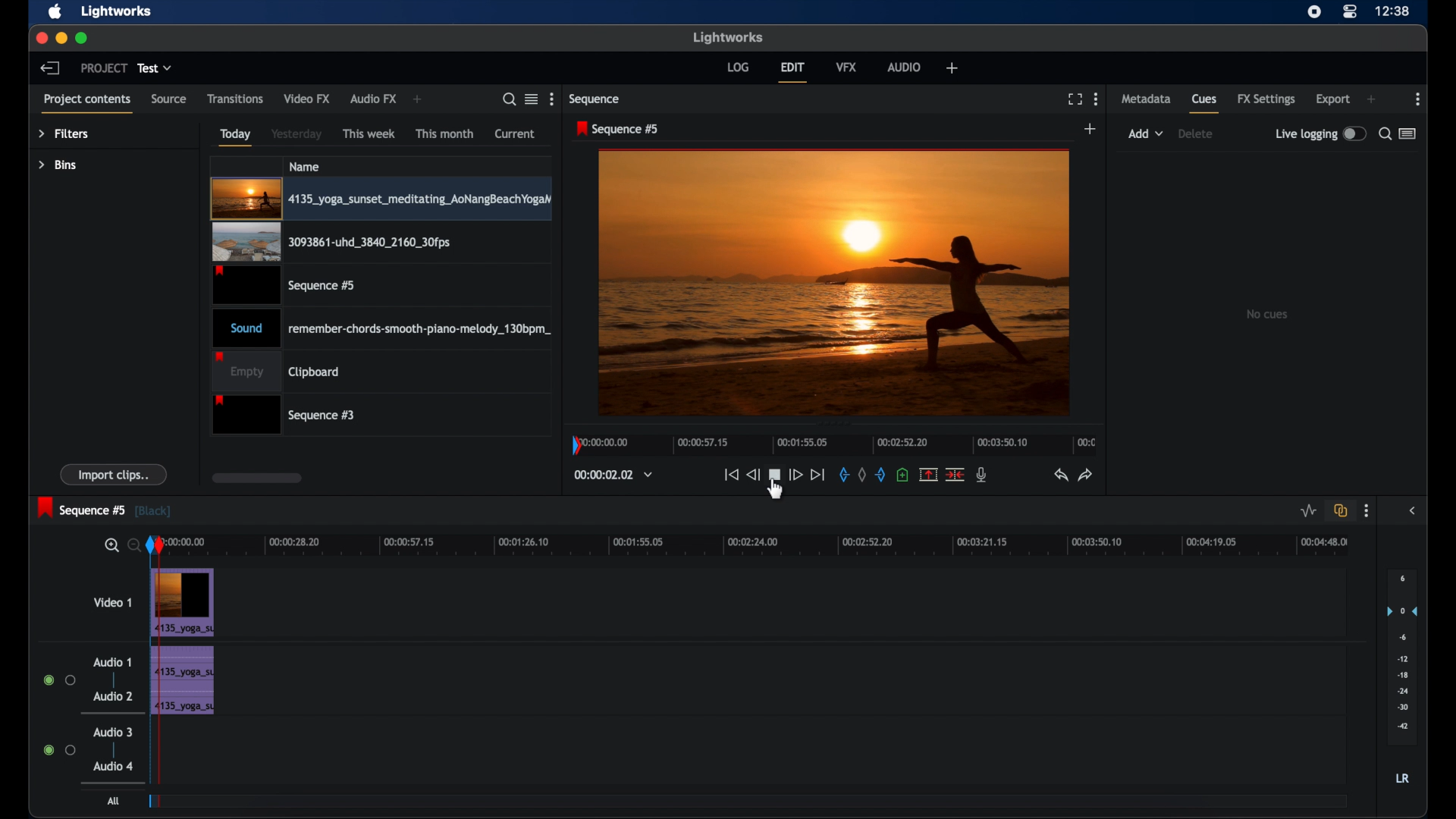 This screenshot has width=1456, height=819. Describe the element at coordinates (902, 66) in the screenshot. I see `audio` at that location.